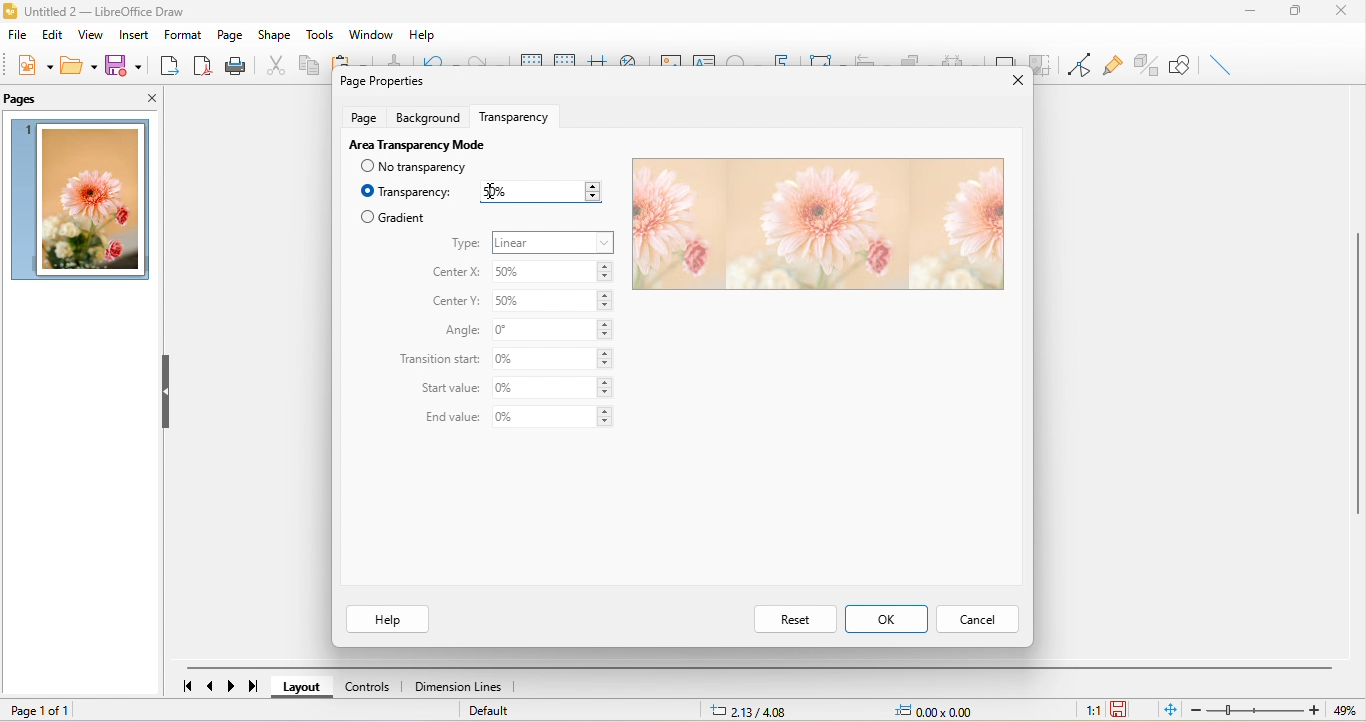 The image size is (1366, 722). Describe the element at coordinates (54, 34) in the screenshot. I see `edit` at that location.